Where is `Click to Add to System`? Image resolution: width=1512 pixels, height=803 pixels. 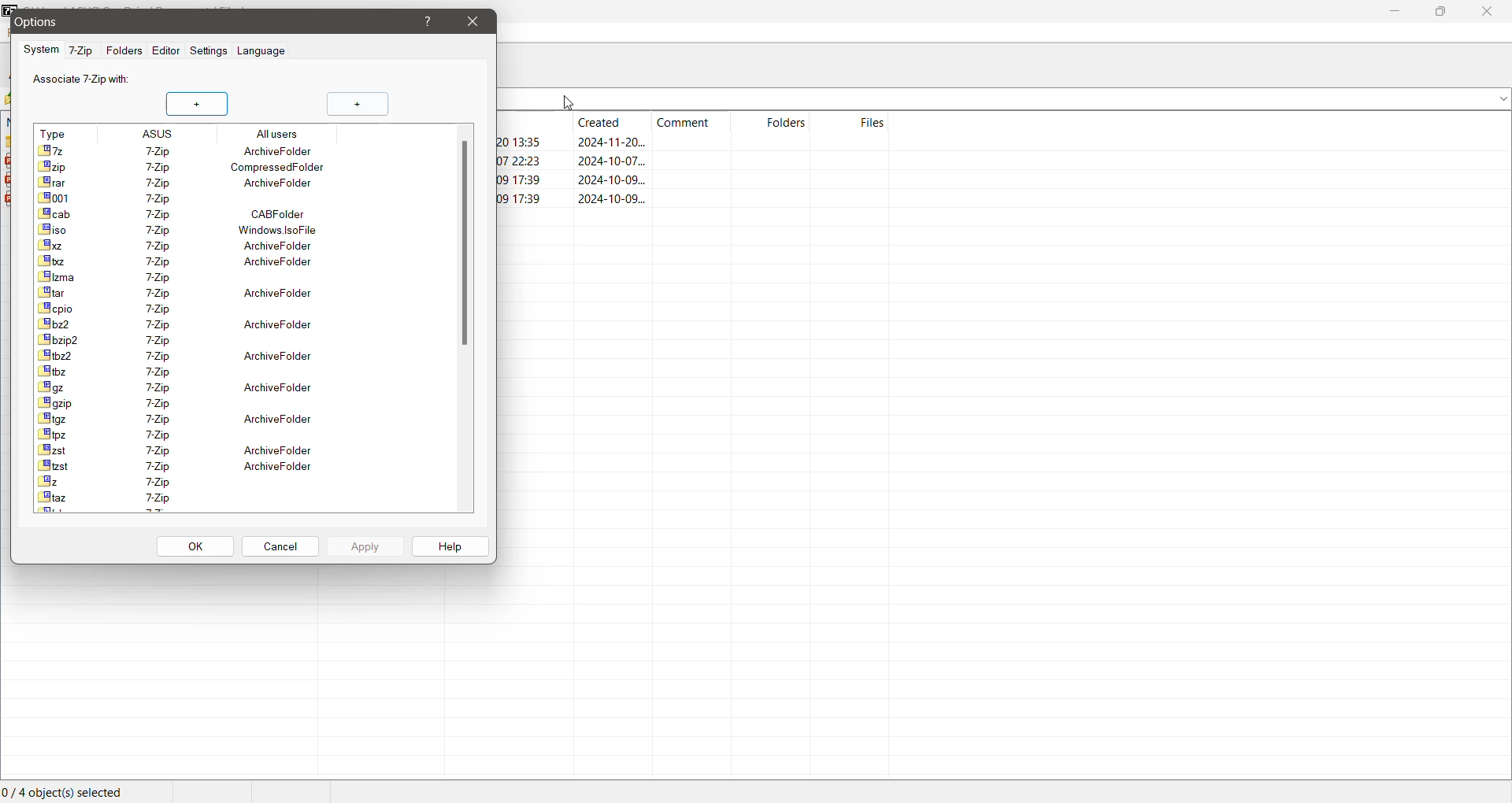 Click to Add to System is located at coordinates (198, 104).